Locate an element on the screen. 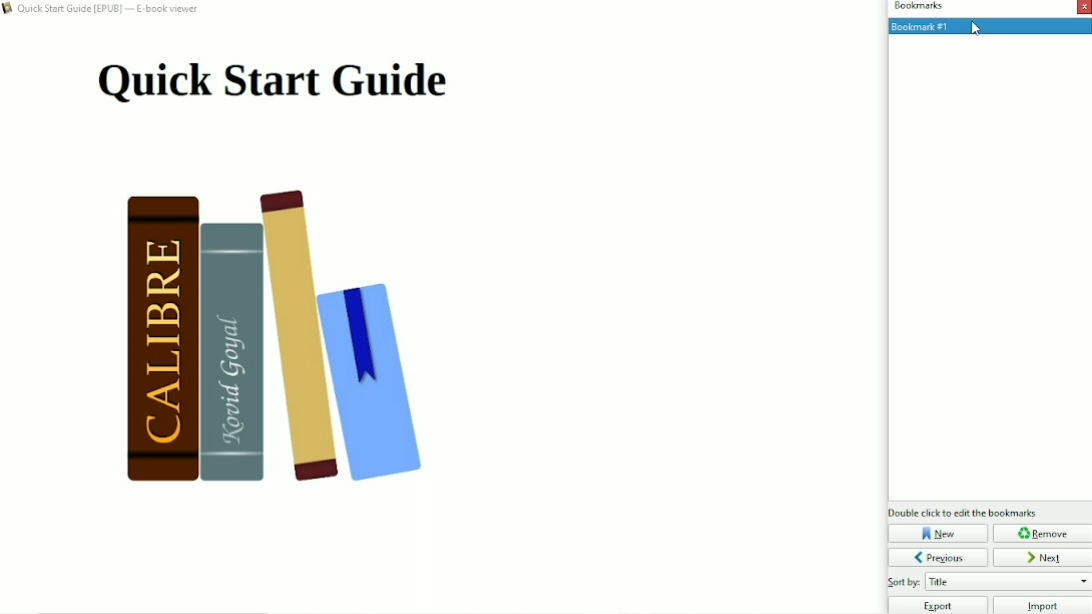 Image resolution: width=1092 pixels, height=614 pixels. Next is located at coordinates (1043, 557).